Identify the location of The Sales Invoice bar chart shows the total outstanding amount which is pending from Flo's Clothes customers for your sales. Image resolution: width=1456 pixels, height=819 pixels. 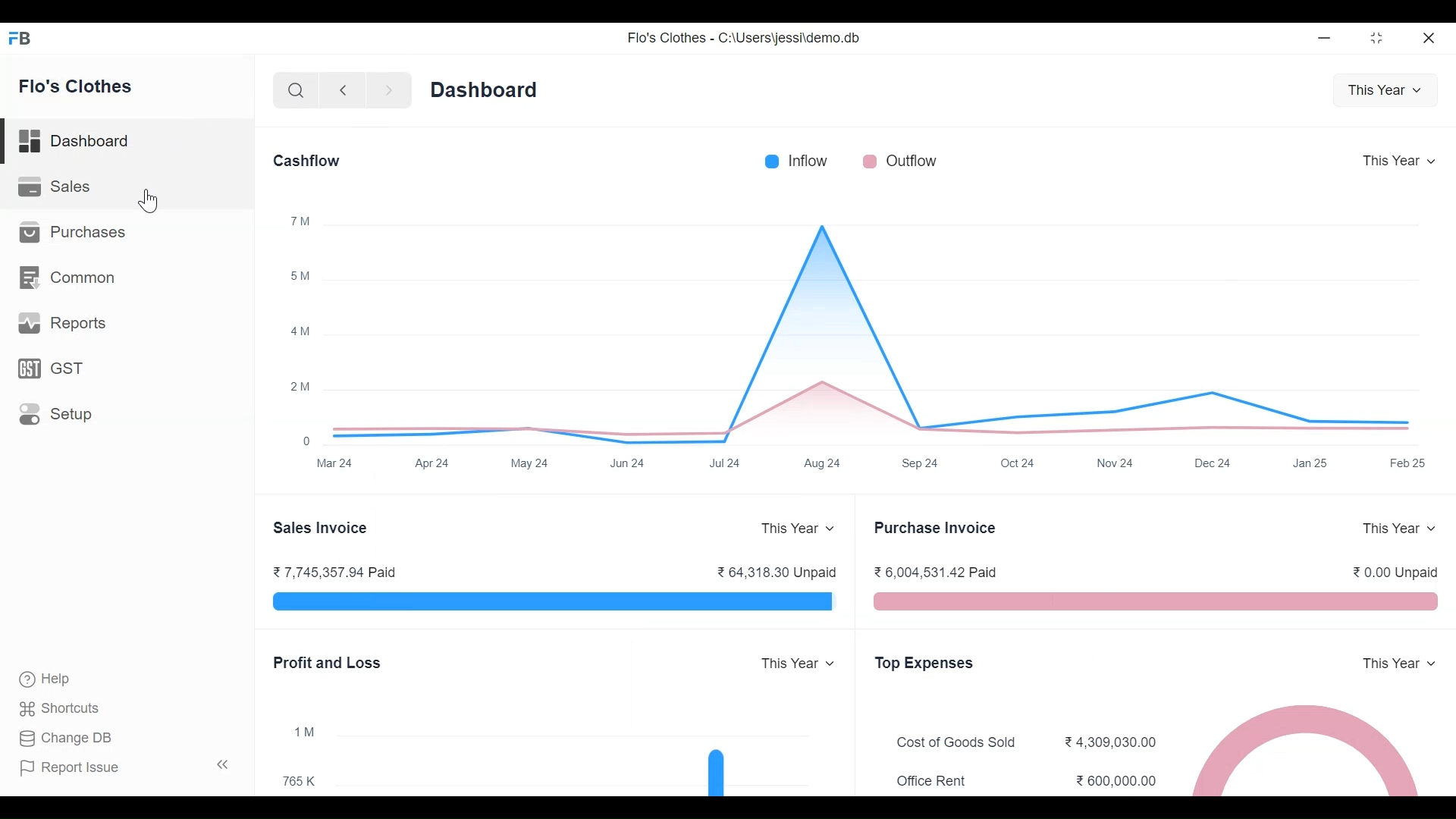
(553, 602).